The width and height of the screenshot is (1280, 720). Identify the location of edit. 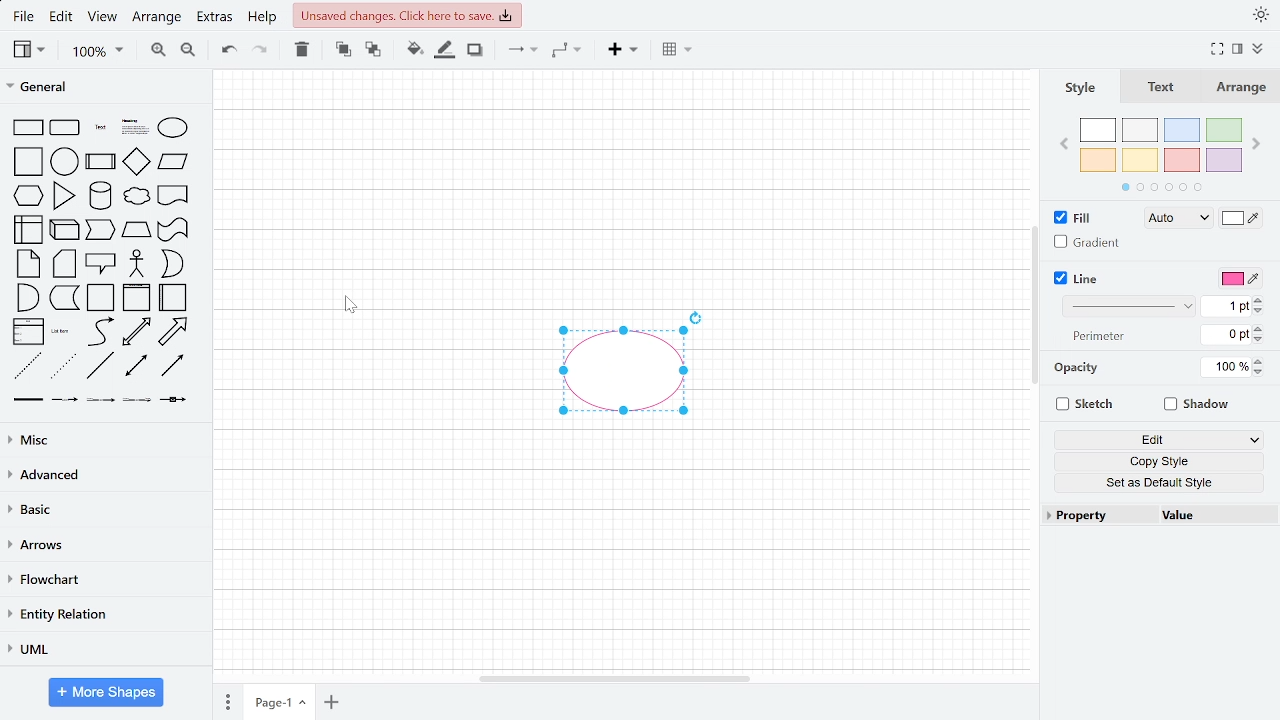
(62, 19).